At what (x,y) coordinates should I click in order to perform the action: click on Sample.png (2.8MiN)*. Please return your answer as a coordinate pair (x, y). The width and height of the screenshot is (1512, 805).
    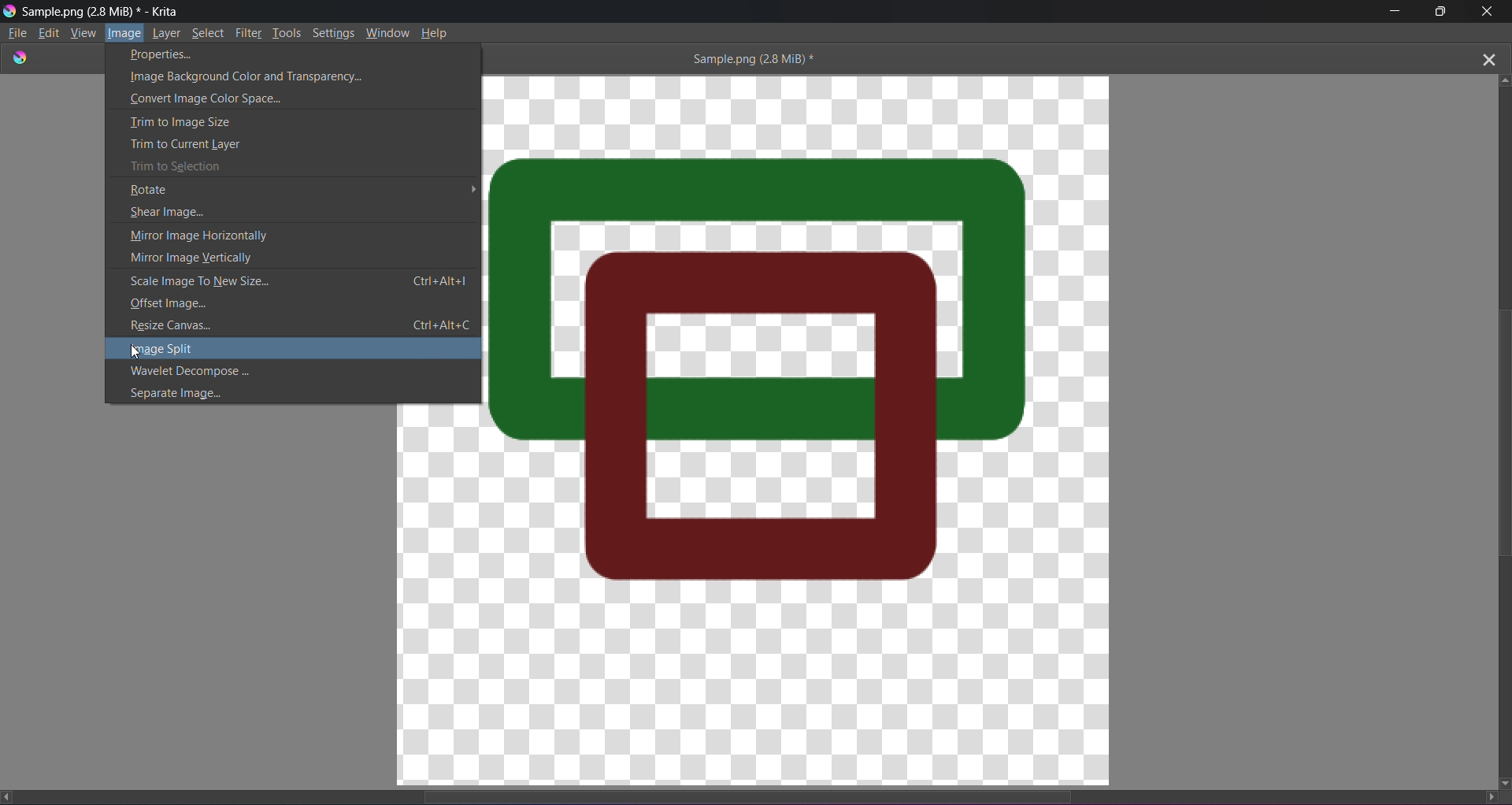
    Looking at the image, I should click on (749, 58).